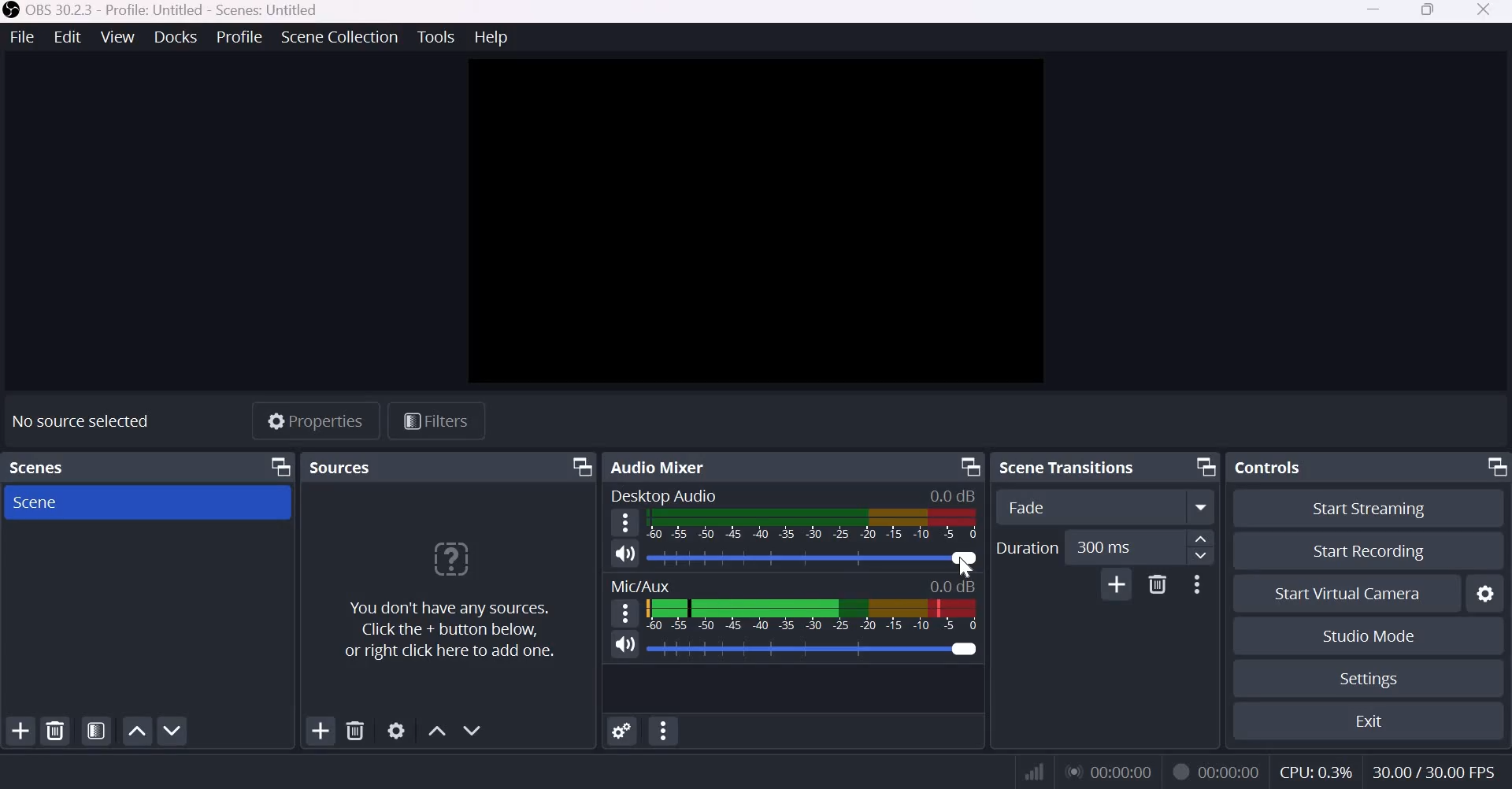  What do you see at coordinates (339, 467) in the screenshot?
I see `Sources` at bounding box center [339, 467].